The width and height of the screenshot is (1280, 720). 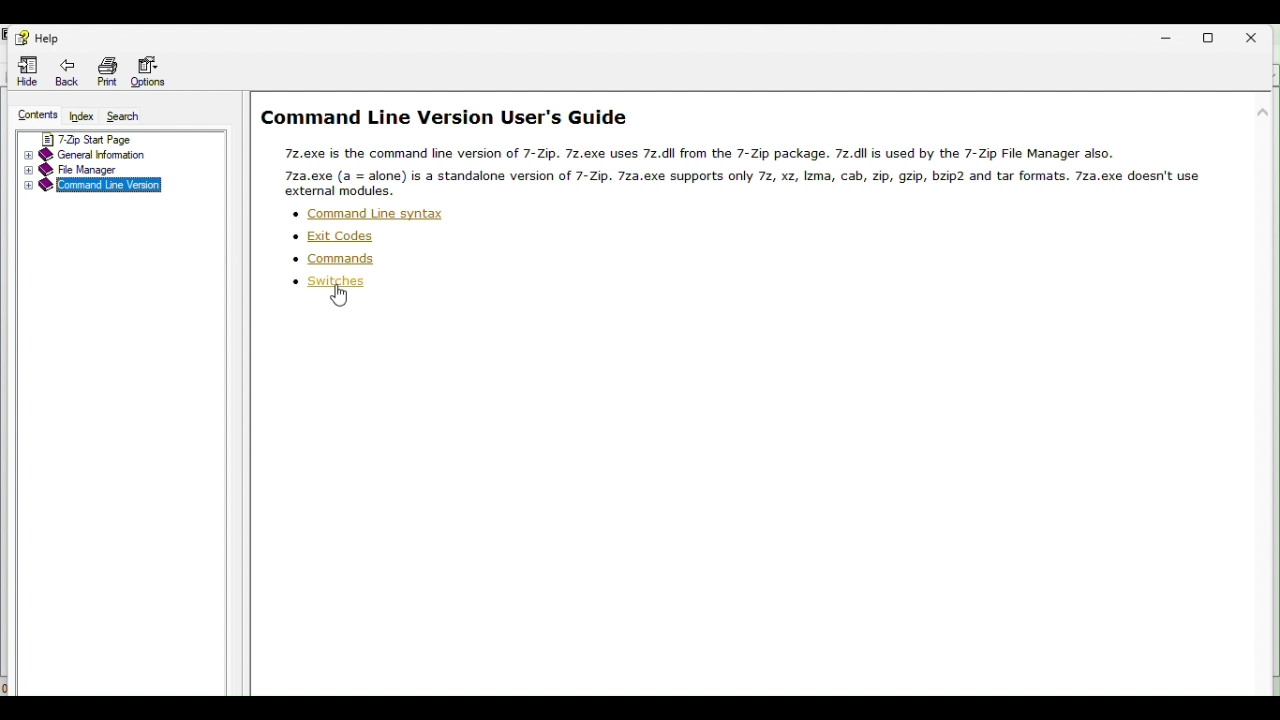 What do you see at coordinates (149, 71) in the screenshot?
I see `Options` at bounding box center [149, 71].